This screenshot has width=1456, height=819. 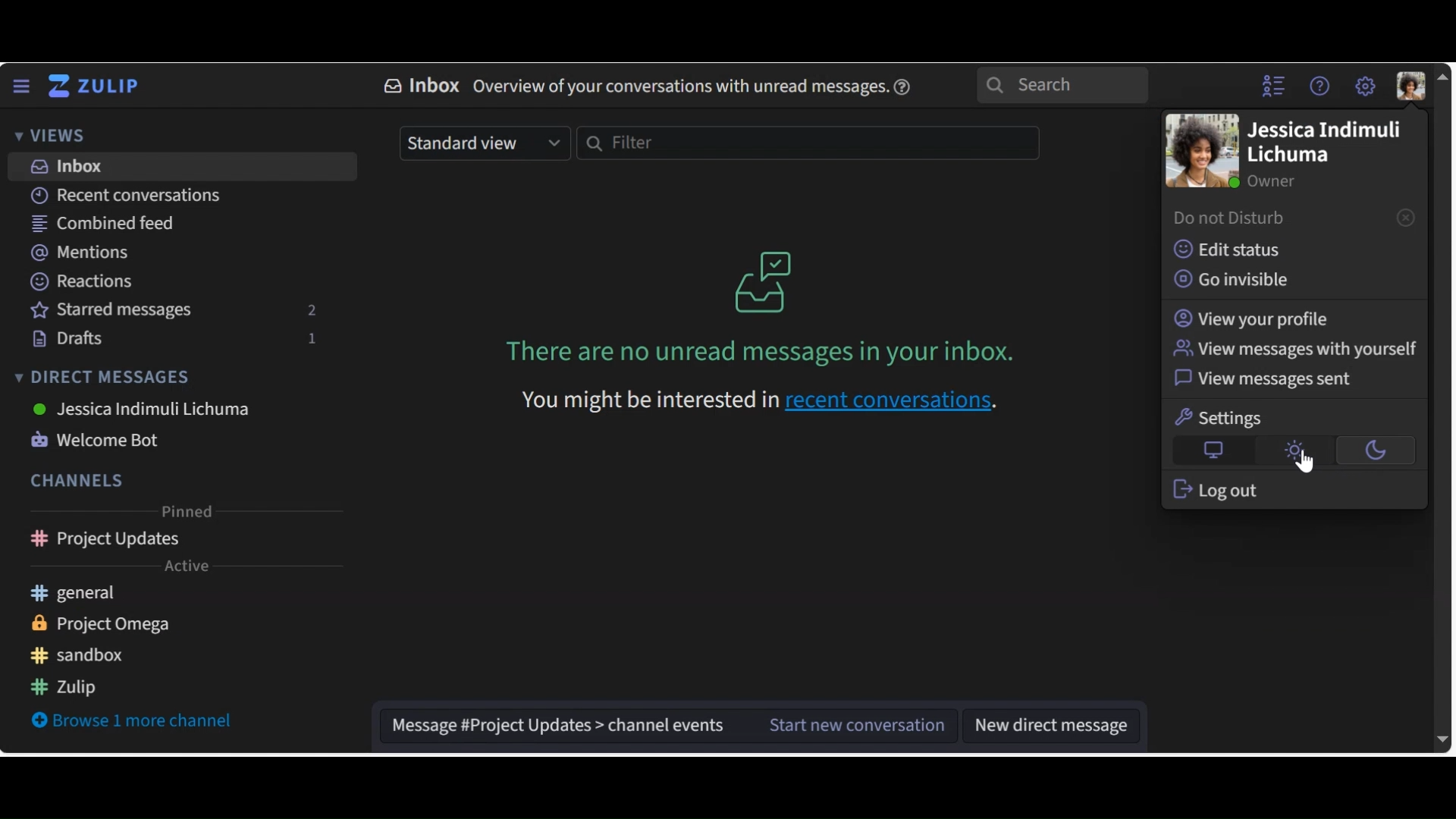 What do you see at coordinates (114, 625) in the screenshot?
I see `Project Omega` at bounding box center [114, 625].